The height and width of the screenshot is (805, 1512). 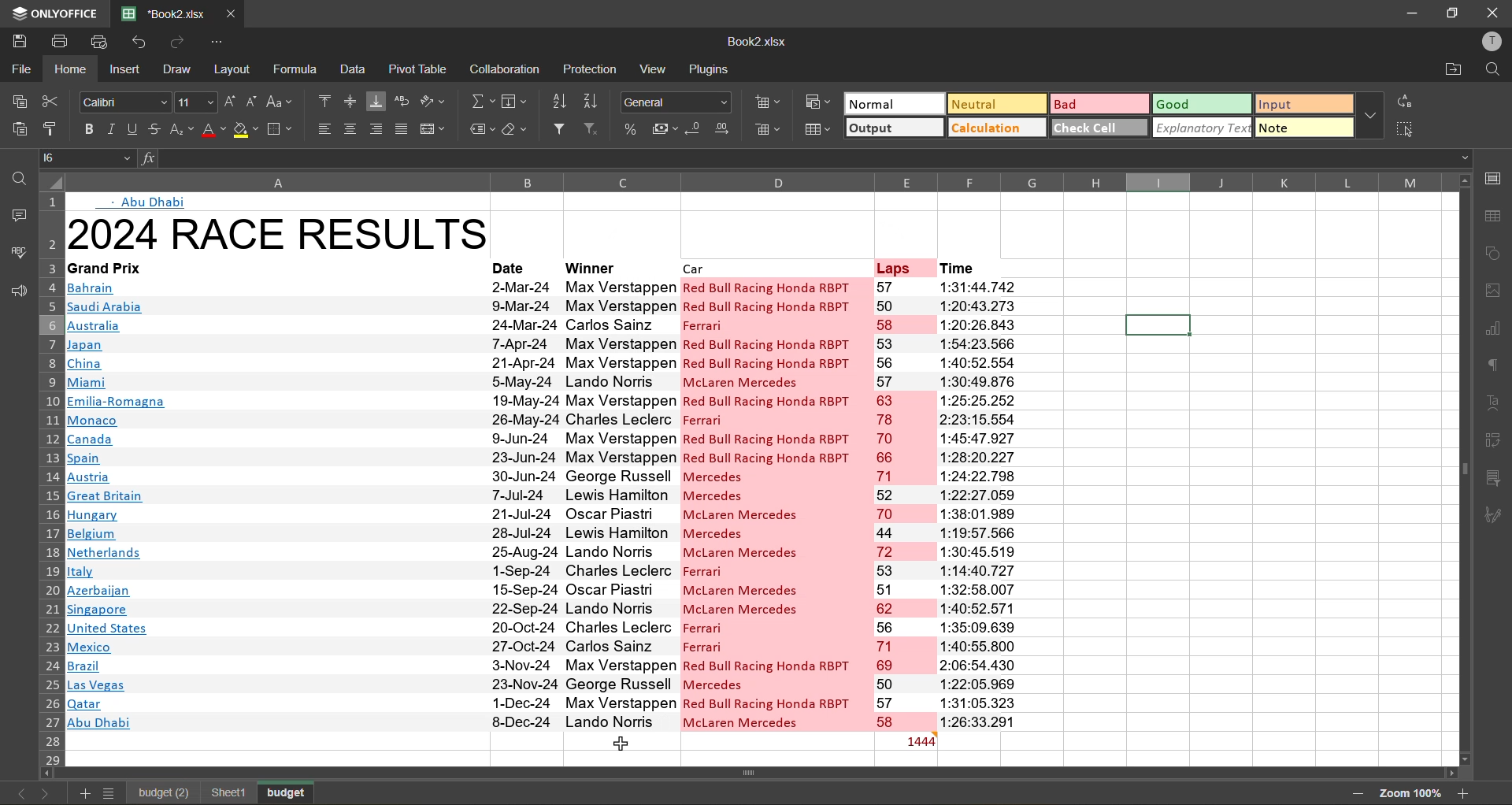 I want to click on merge and center, so click(x=435, y=128).